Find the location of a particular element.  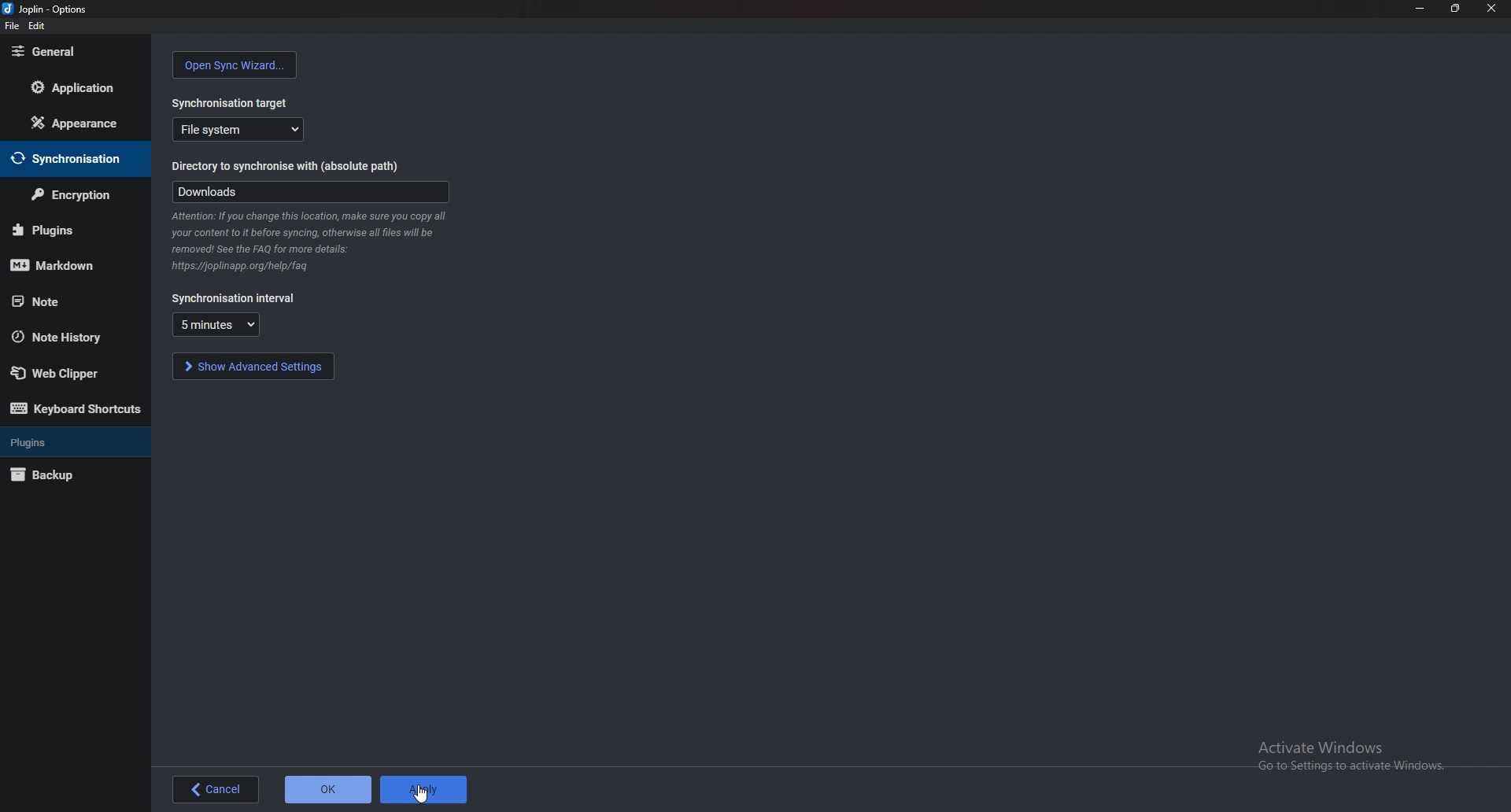

OK is located at coordinates (329, 788).